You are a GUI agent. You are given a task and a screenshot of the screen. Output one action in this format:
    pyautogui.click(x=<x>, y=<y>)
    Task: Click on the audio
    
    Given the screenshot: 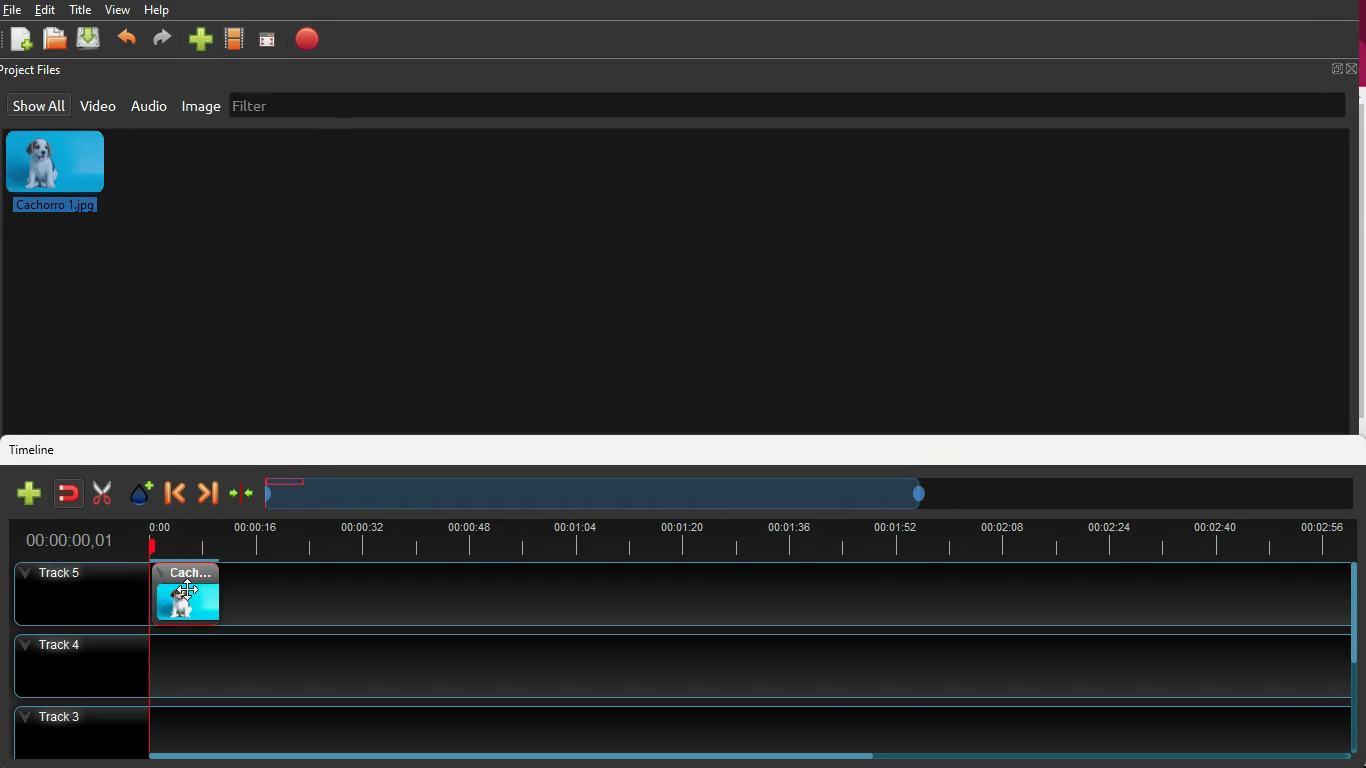 What is the action you would take?
    pyautogui.click(x=151, y=108)
    